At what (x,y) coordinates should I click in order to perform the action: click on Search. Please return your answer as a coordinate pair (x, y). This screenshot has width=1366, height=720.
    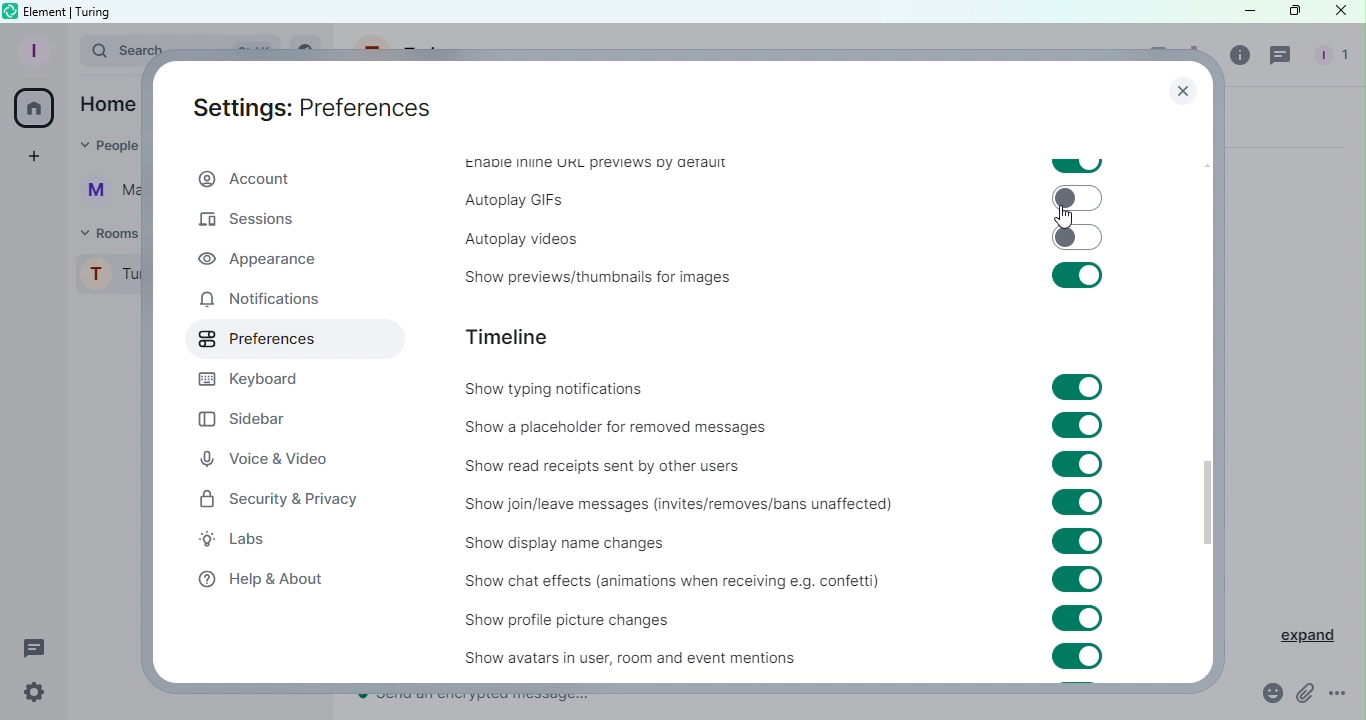
    Looking at the image, I should click on (108, 53).